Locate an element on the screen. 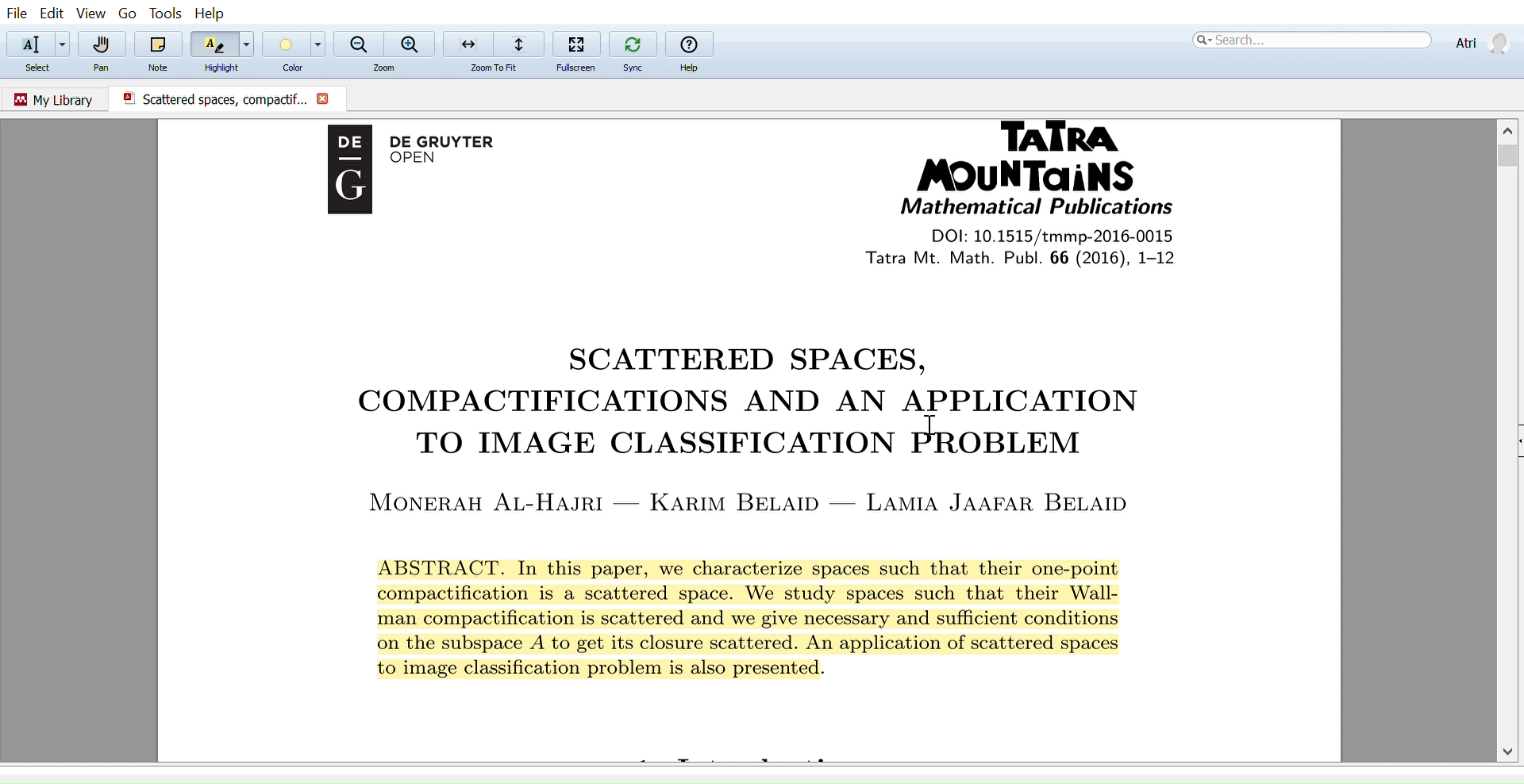 Image resolution: width=1524 pixels, height=784 pixels. ABSTRACT. In this paper, we characterize spaces such that their one-point is located at coordinates (777, 564).